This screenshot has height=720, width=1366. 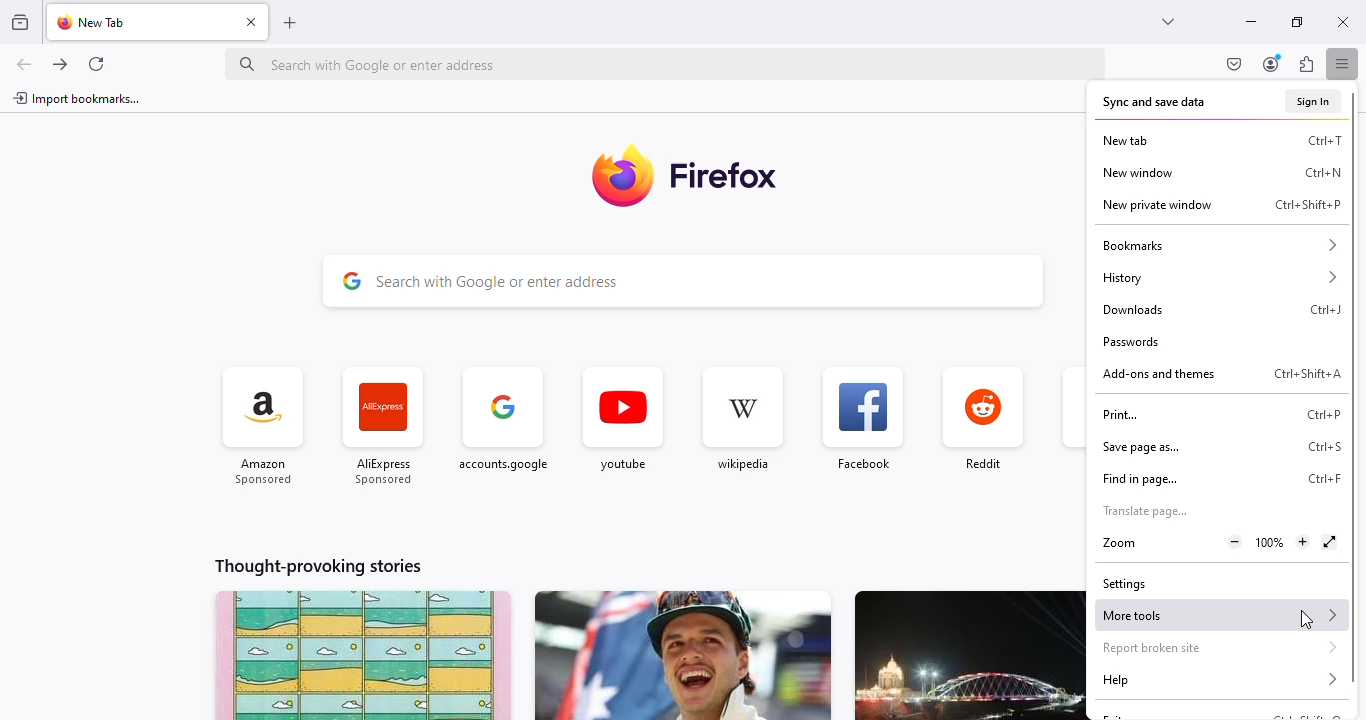 What do you see at coordinates (1273, 63) in the screenshot?
I see `account` at bounding box center [1273, 63].